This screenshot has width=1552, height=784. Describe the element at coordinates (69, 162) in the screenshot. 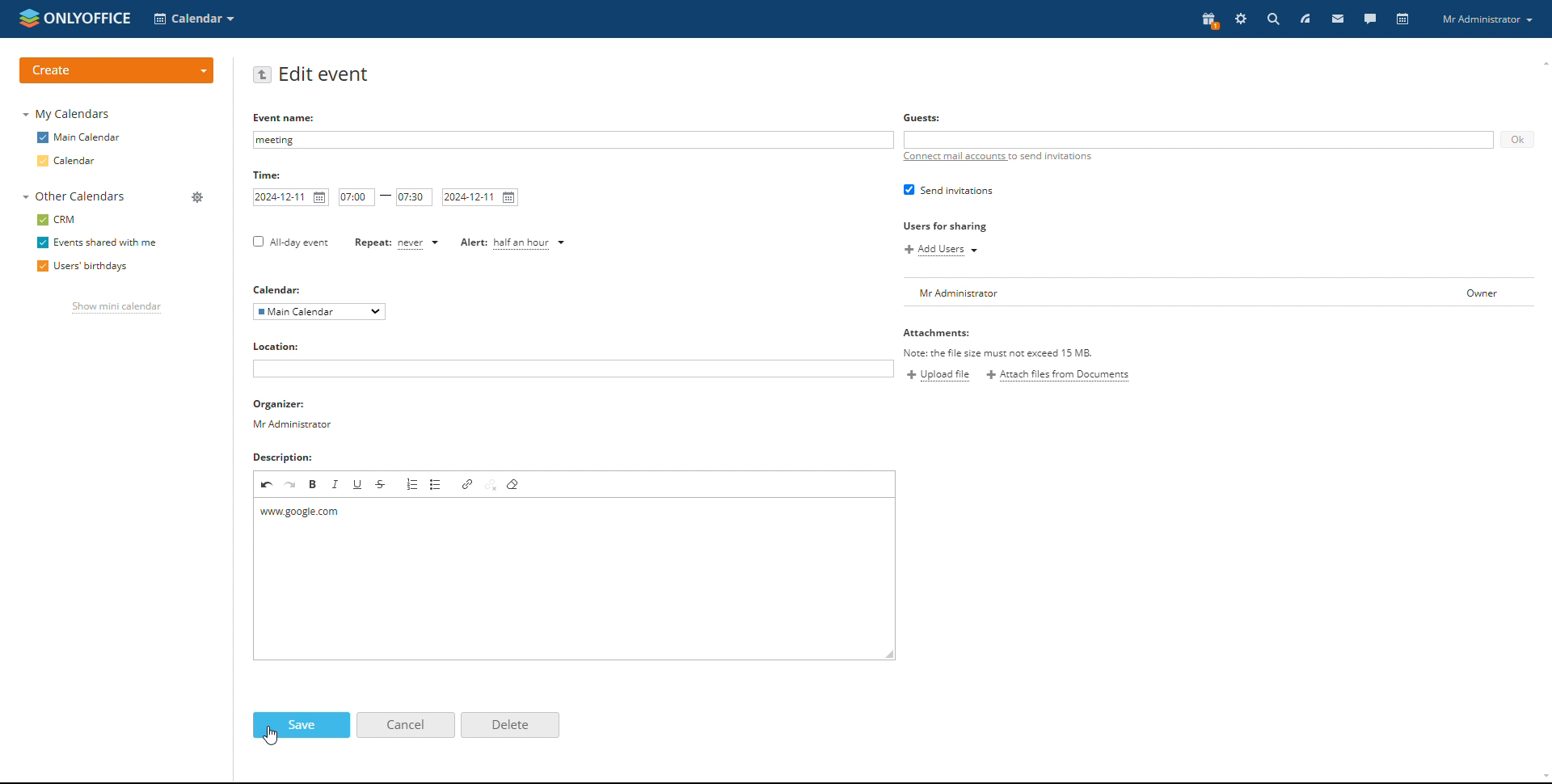

I see `calendar` at that location.